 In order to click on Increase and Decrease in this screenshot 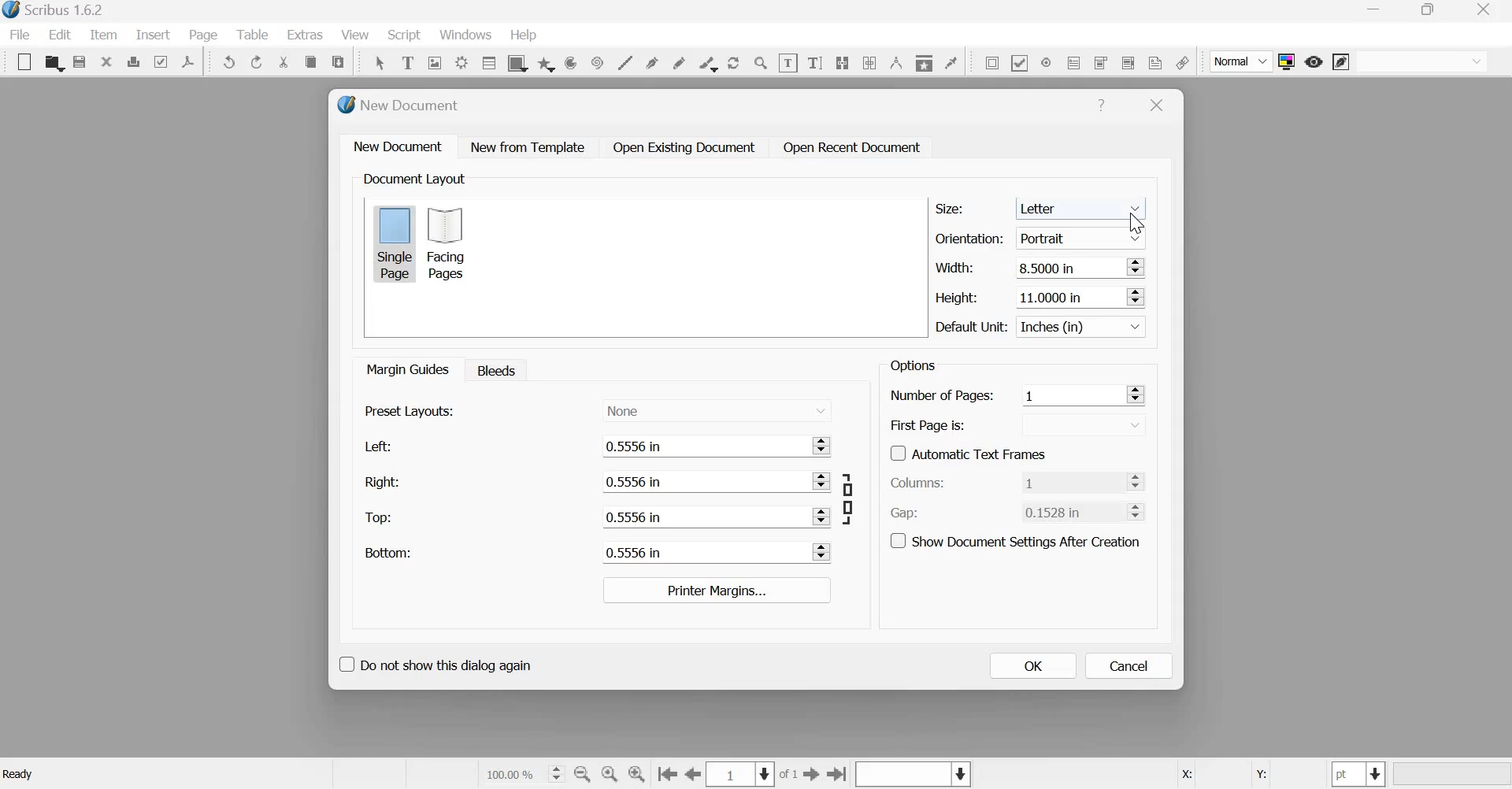, I will do `click(825, 444)`.